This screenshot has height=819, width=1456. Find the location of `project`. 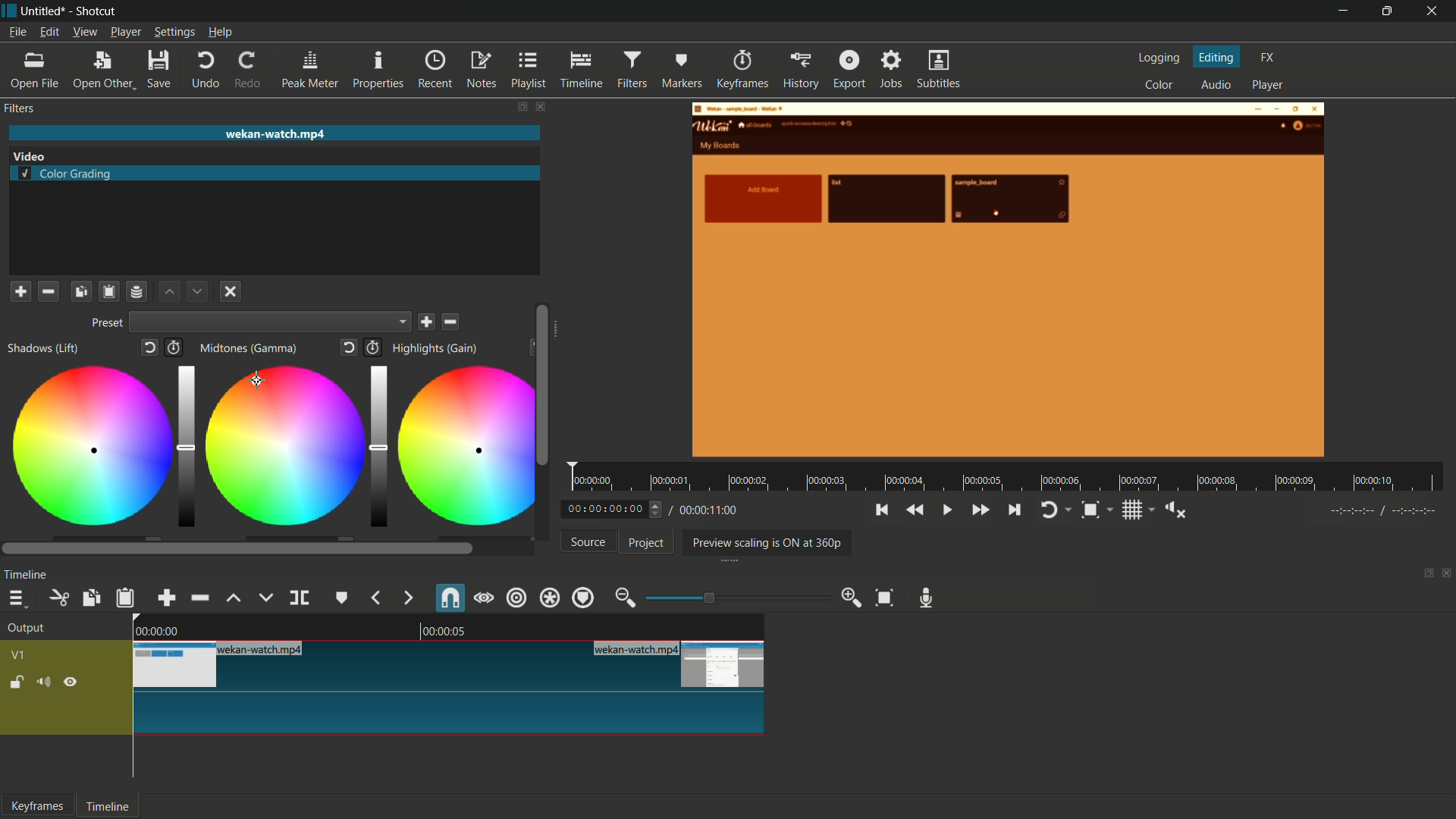

project is located at coordinates (644, 543).